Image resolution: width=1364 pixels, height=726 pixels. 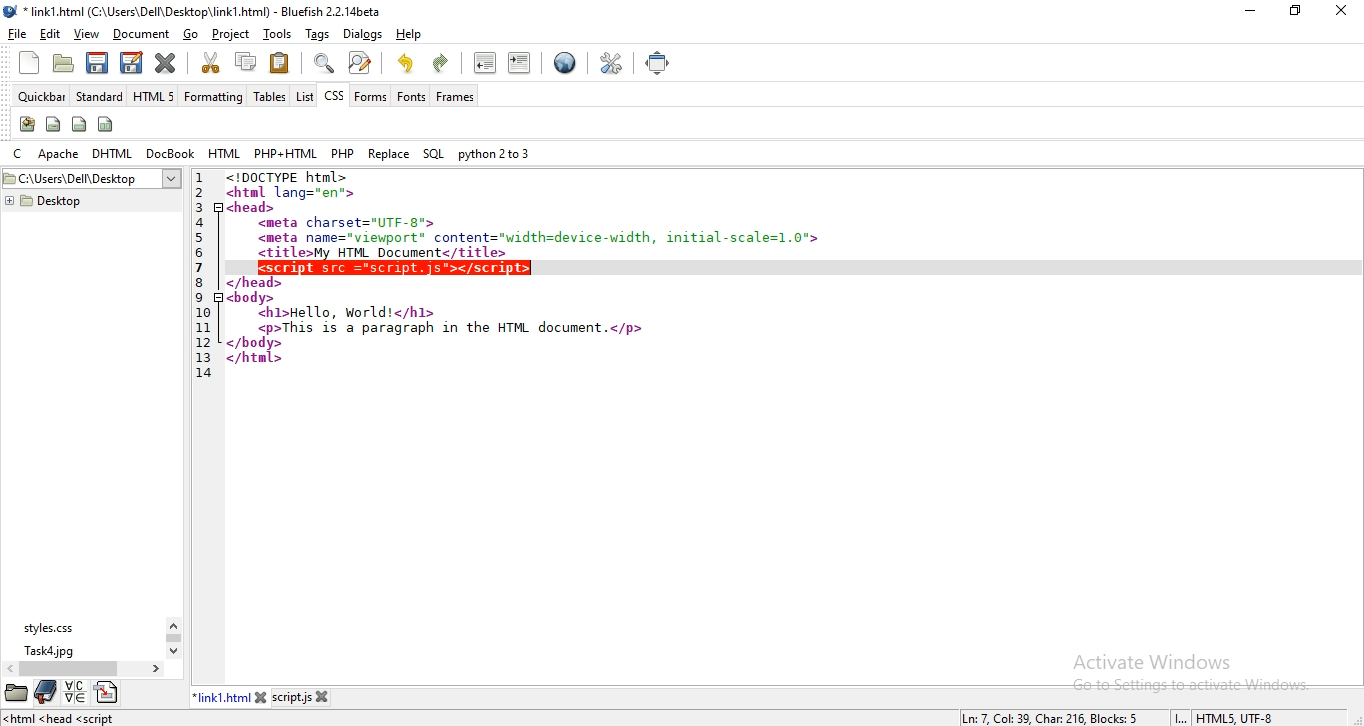 What do you see at coordinates (471, 332) in the screenshot?
I see `code` at bounding box center [471, 332].